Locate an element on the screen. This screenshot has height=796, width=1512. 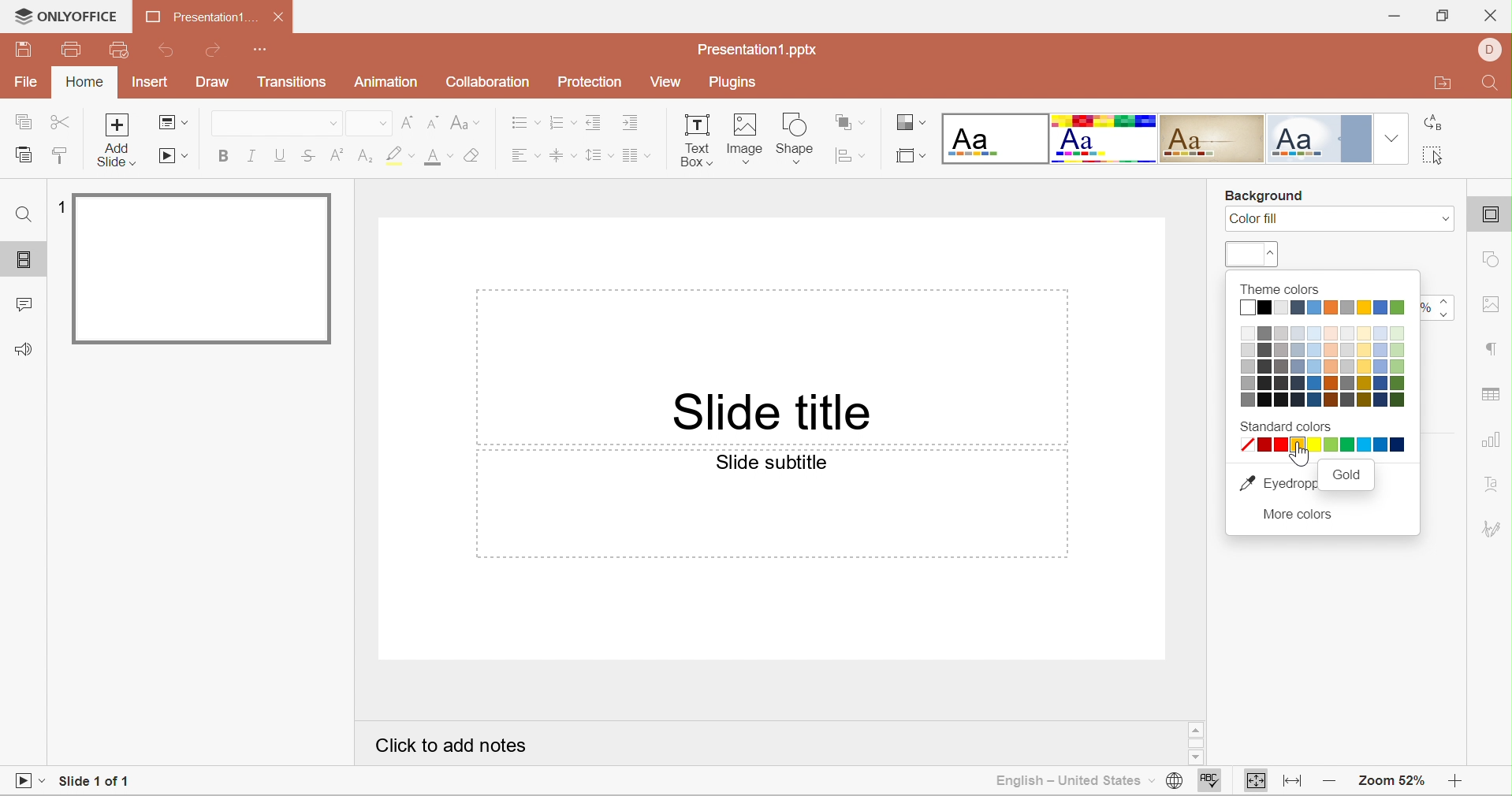
Insert columns is located at coordinates (639, 156).